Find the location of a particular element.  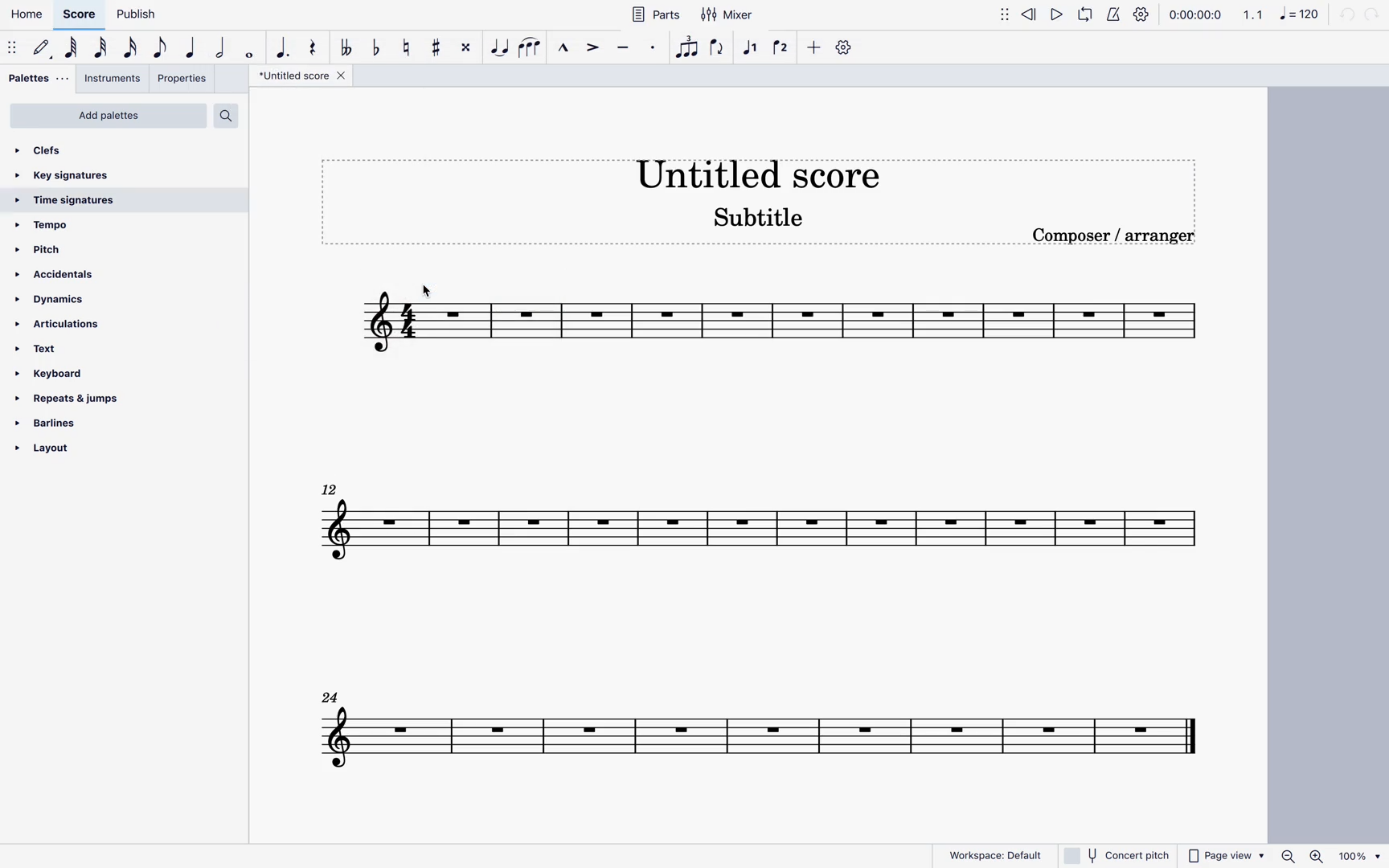

review is located at coordinates (1030, 13).